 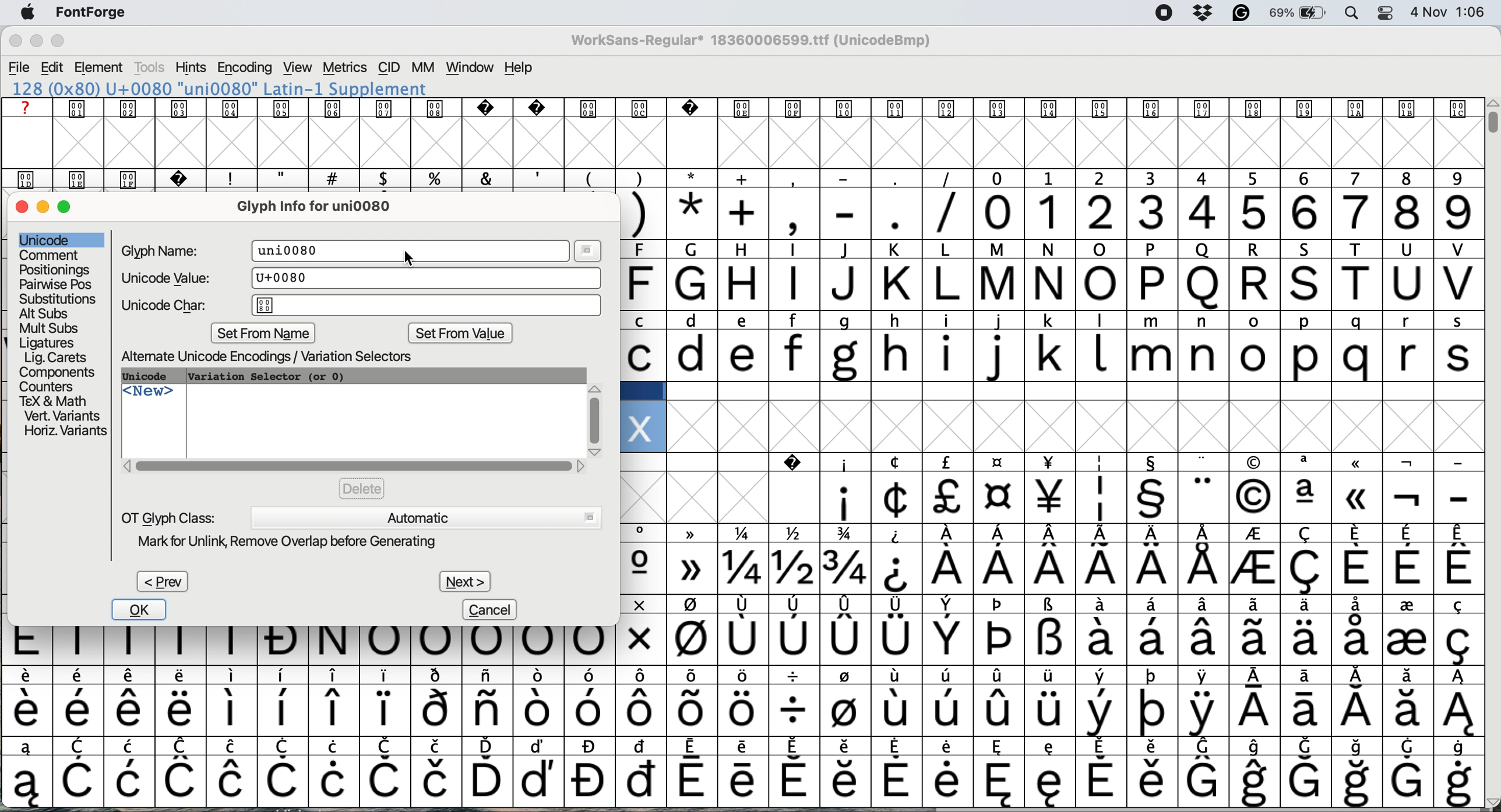 What do you see at coordinates (47, 239) in the screenshot?
I see `unicode` at bounding box center [47, 239].